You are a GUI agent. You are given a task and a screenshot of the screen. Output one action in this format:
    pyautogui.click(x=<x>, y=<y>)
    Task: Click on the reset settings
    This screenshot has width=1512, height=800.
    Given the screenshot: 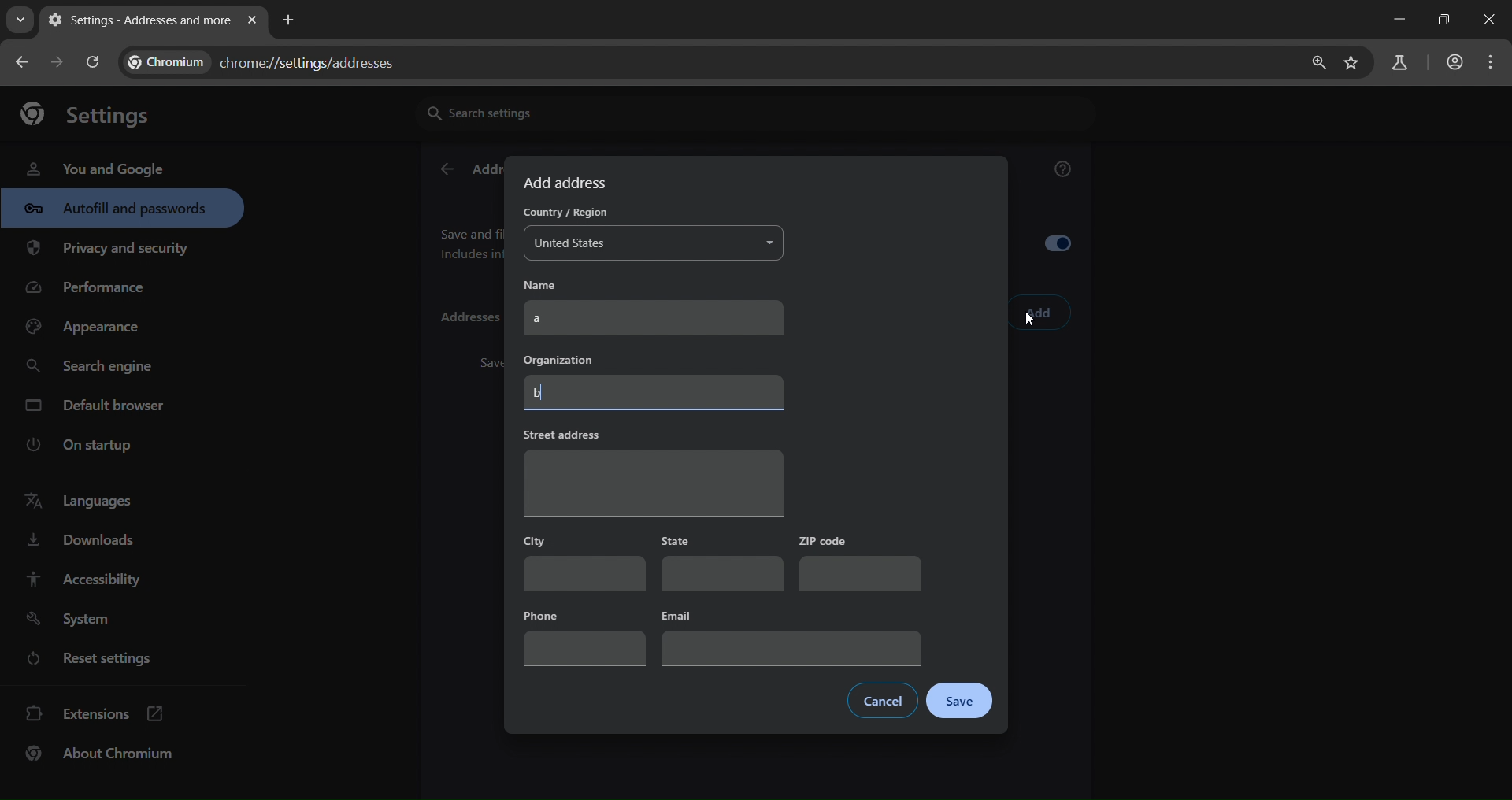 What is the action you would take?
    pyautogui.click(x=104, y=661)
    